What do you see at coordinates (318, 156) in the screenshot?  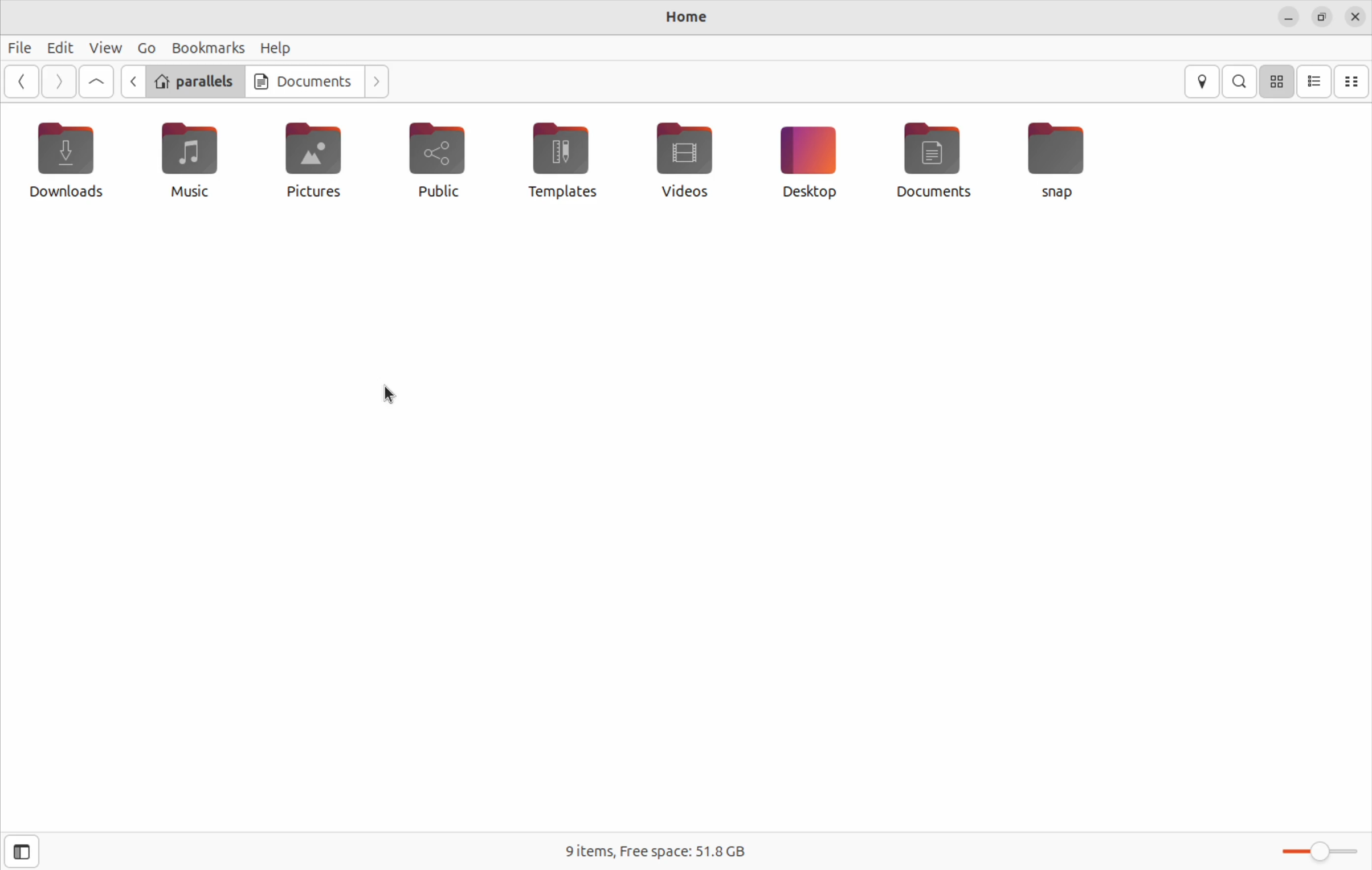 I see `pictures` at bounding box center [318, 156].